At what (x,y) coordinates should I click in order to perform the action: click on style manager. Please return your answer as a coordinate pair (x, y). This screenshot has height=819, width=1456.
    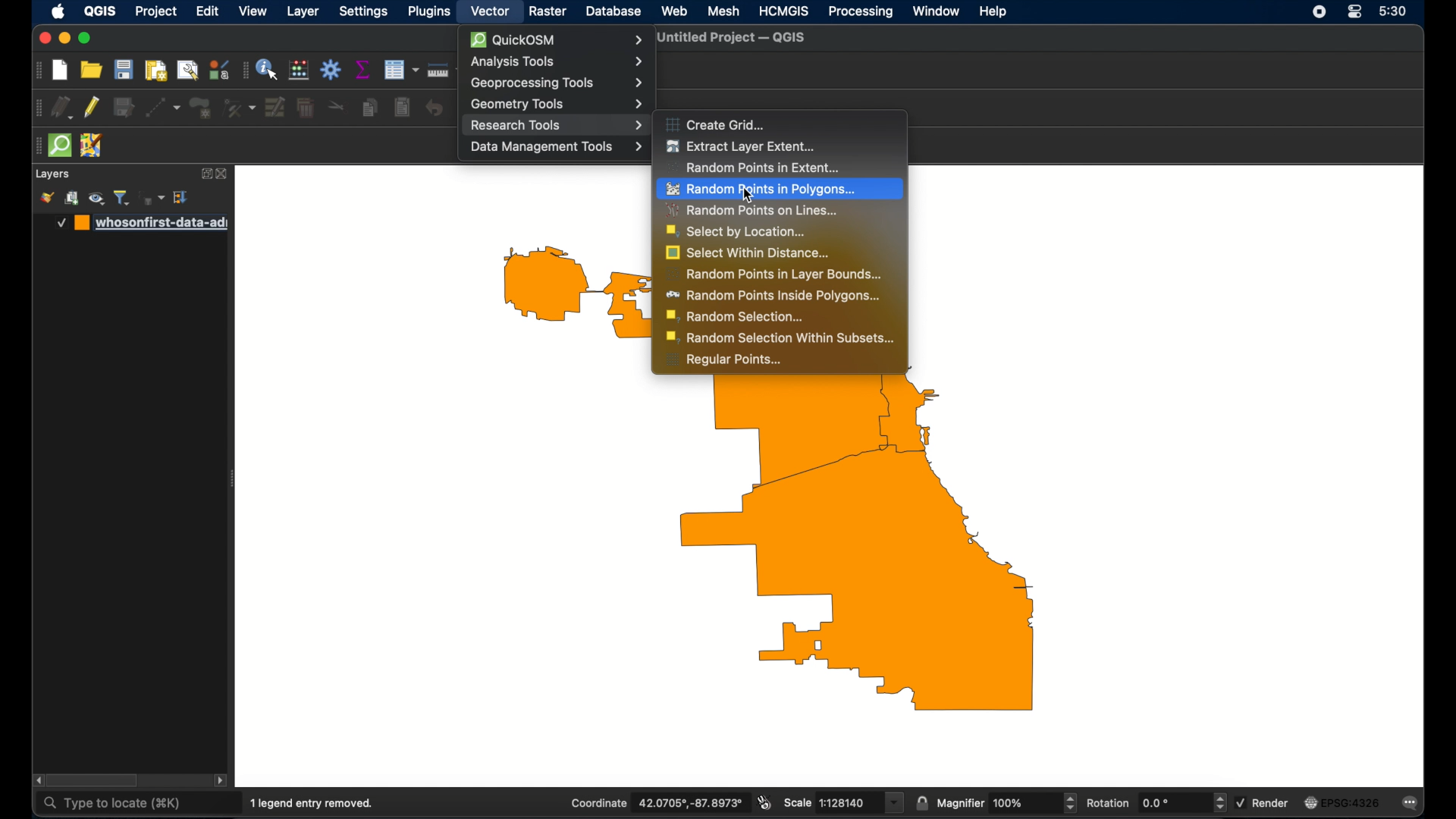
    Looking at the image, I should click on (46, 198).